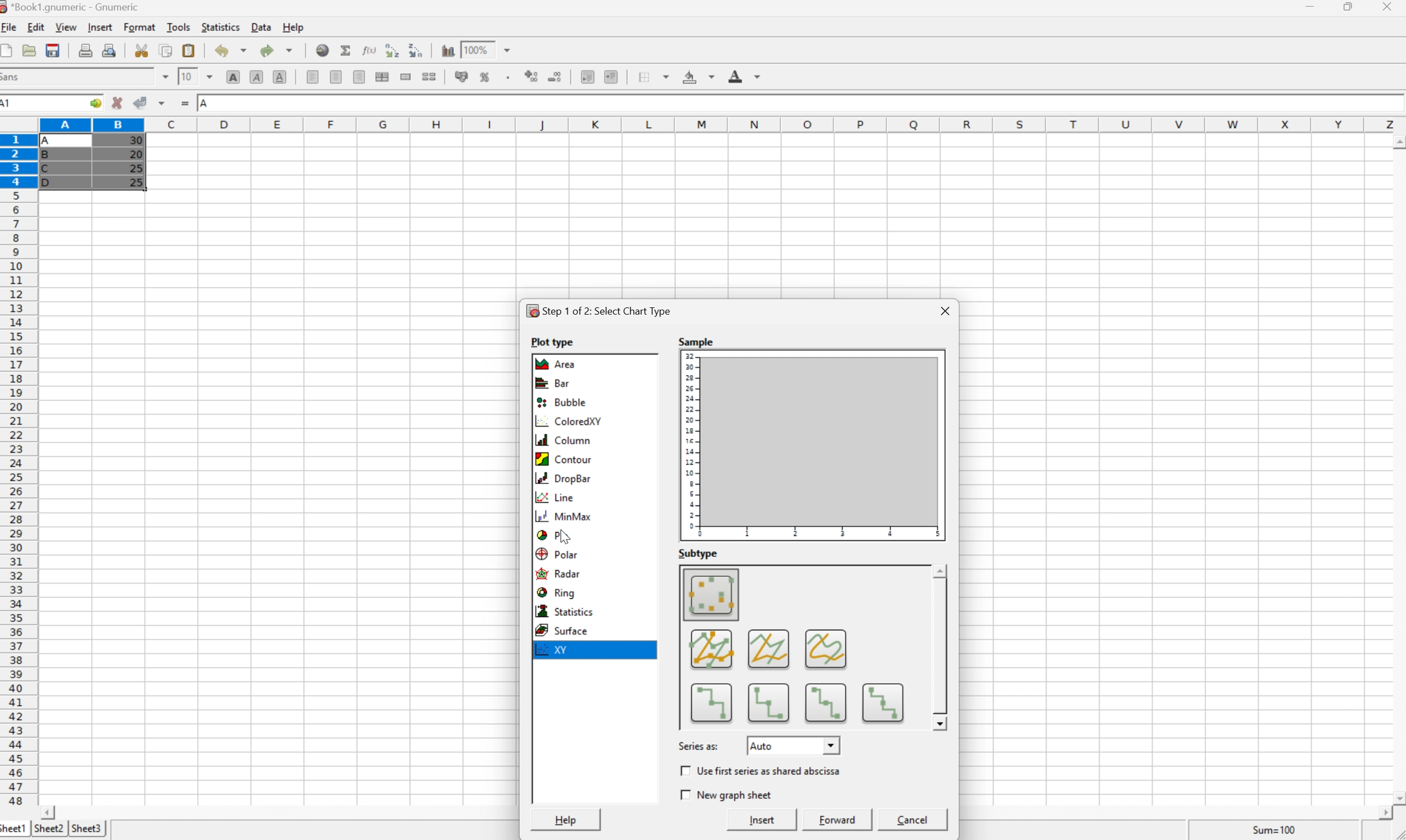 Image resolution: width=1406 pixels, height=840 pixels. What do you see at coordinates (947, 310) in the screenshot?
I see `Close` at bounding box center [947, 310].